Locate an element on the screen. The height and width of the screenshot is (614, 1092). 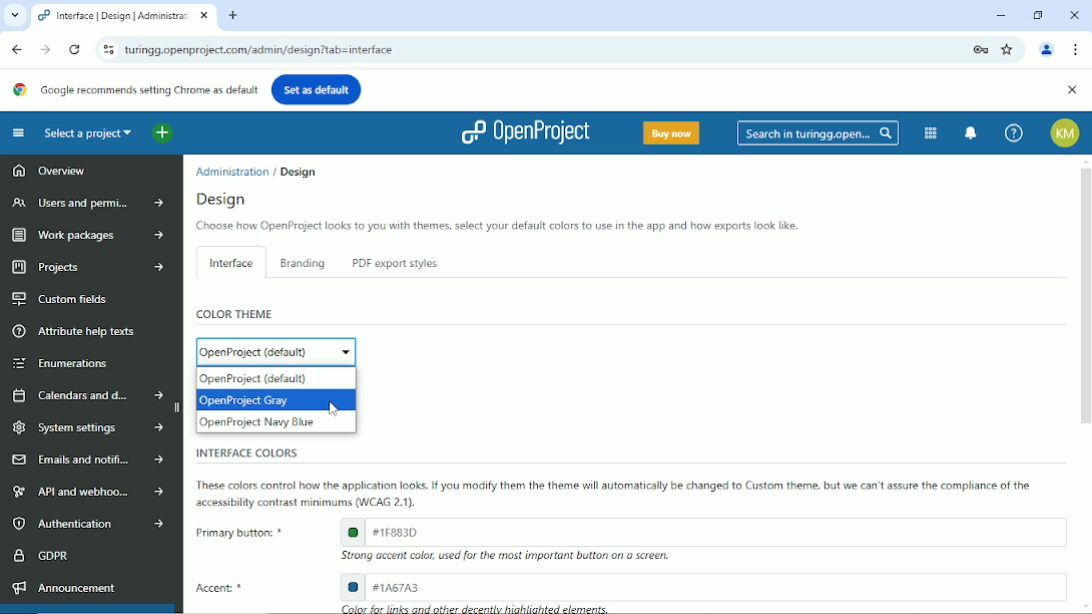
OpenProject (default) is located at coordinates (273, 378).